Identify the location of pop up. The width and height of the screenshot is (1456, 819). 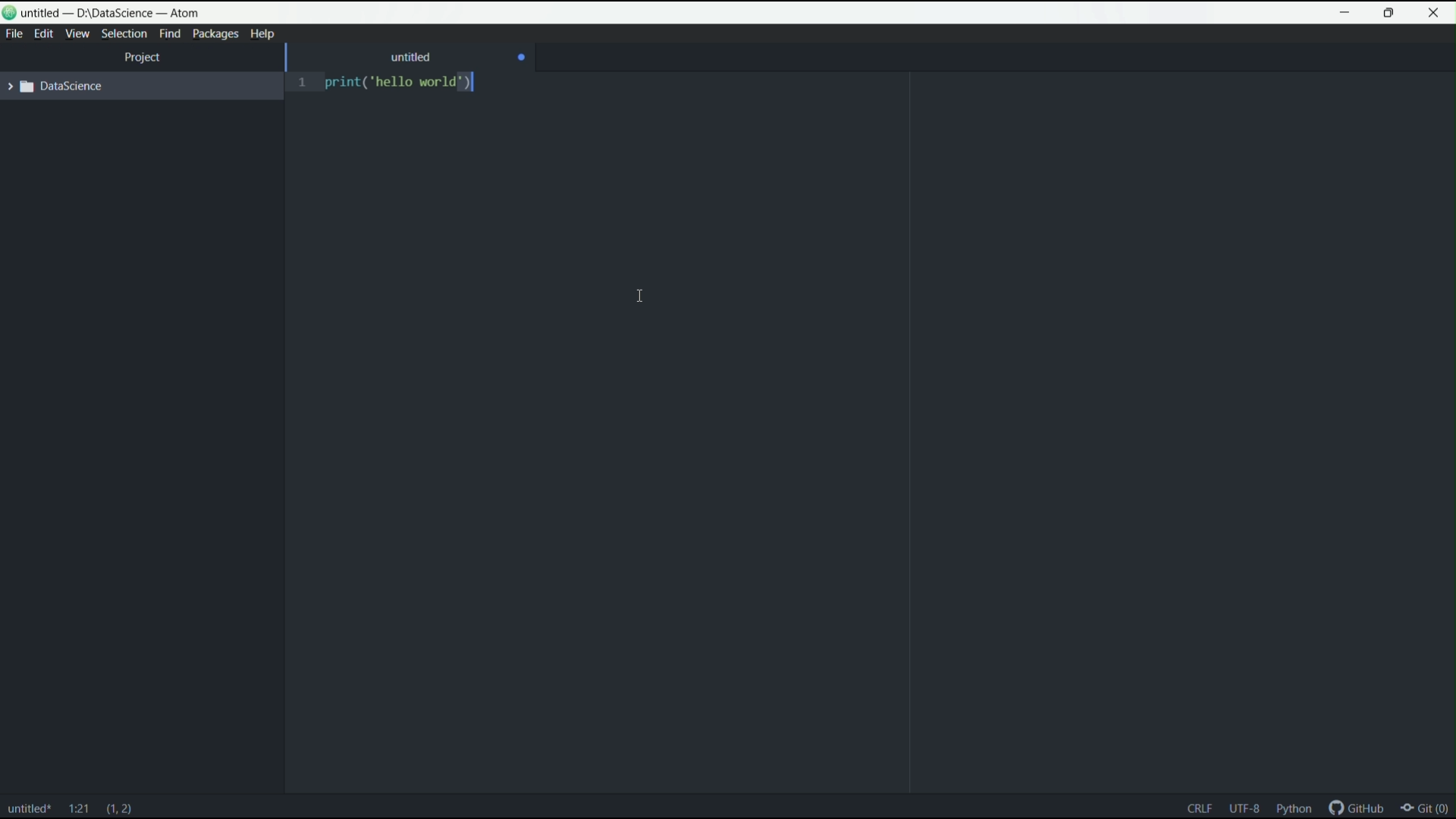
(1312, 769).